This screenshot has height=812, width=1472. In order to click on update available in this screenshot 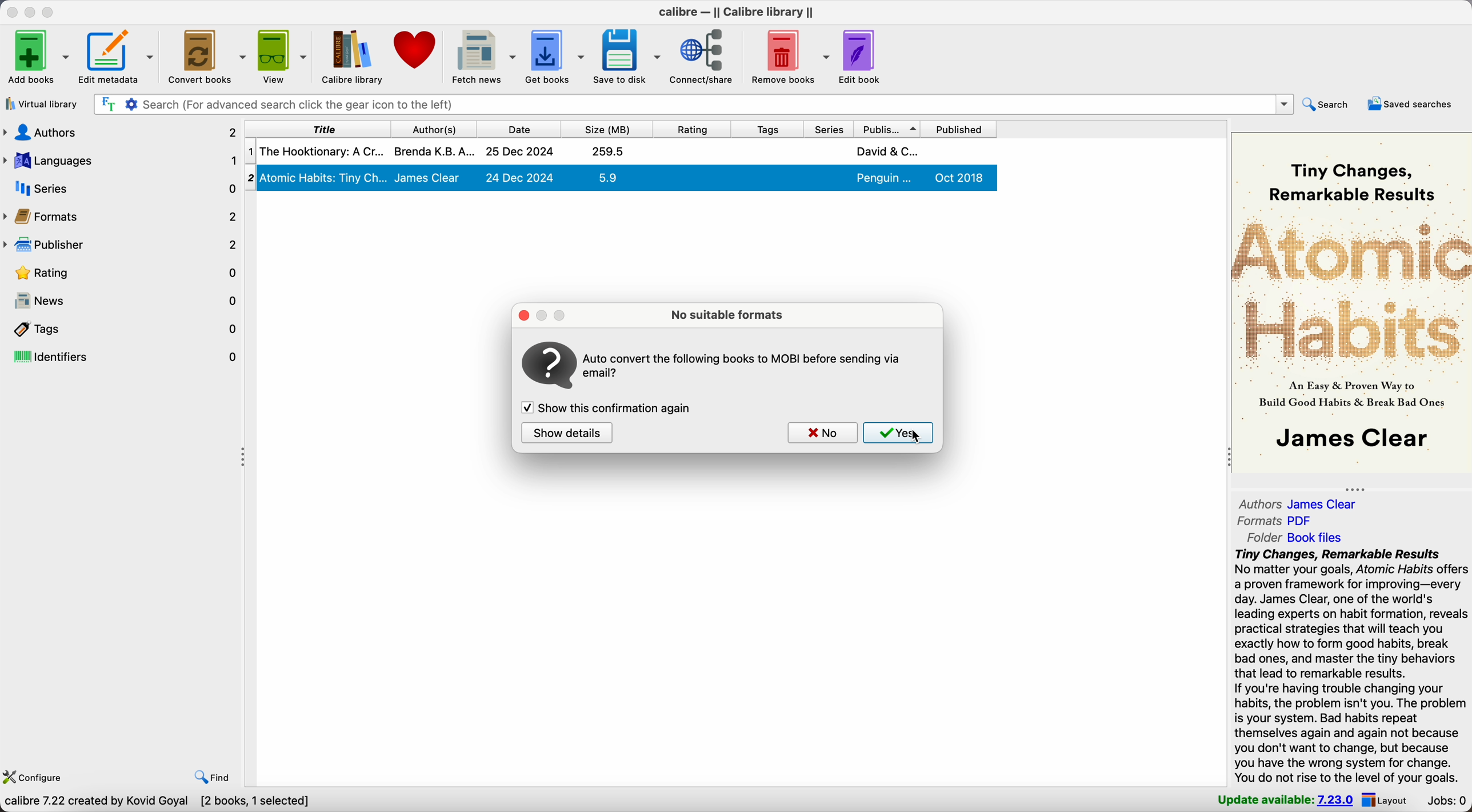, I will do `click(1286, 801)`.